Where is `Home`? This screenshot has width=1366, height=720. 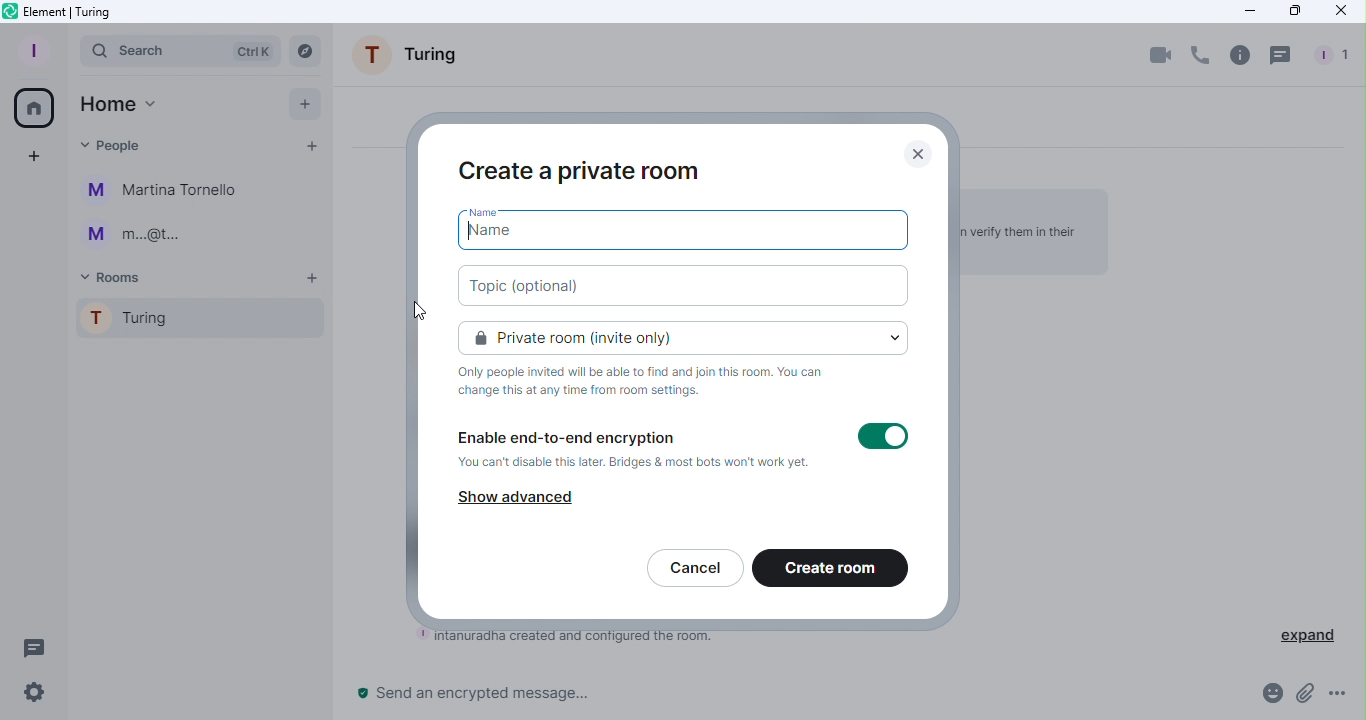 Home is located at coordinates (118, 104).